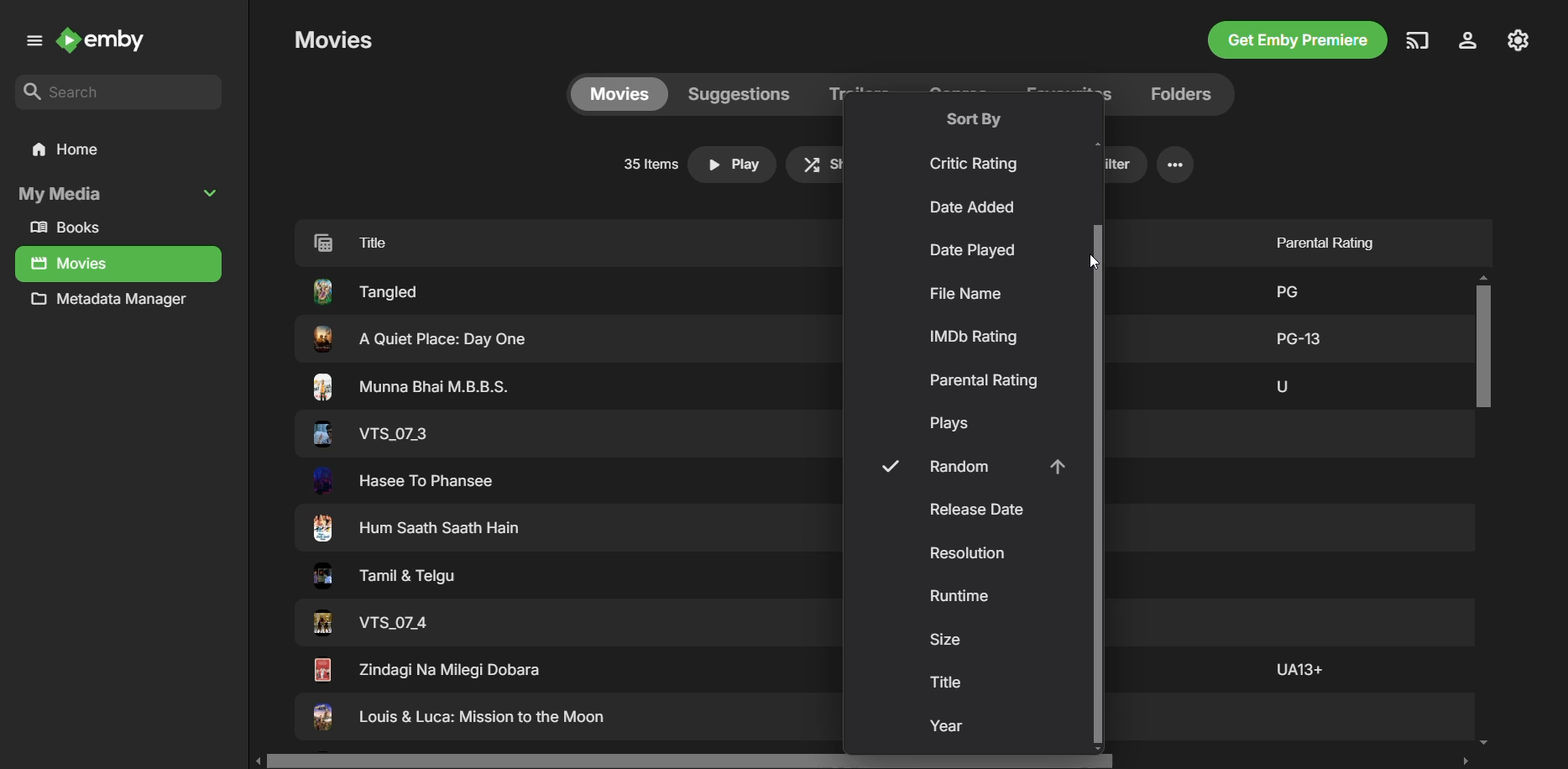 This screenshot has width=1568, height=769. Describe the element at coordinates (1295, 42) in the screenshot. I see `Get Emby Premier` at that location.